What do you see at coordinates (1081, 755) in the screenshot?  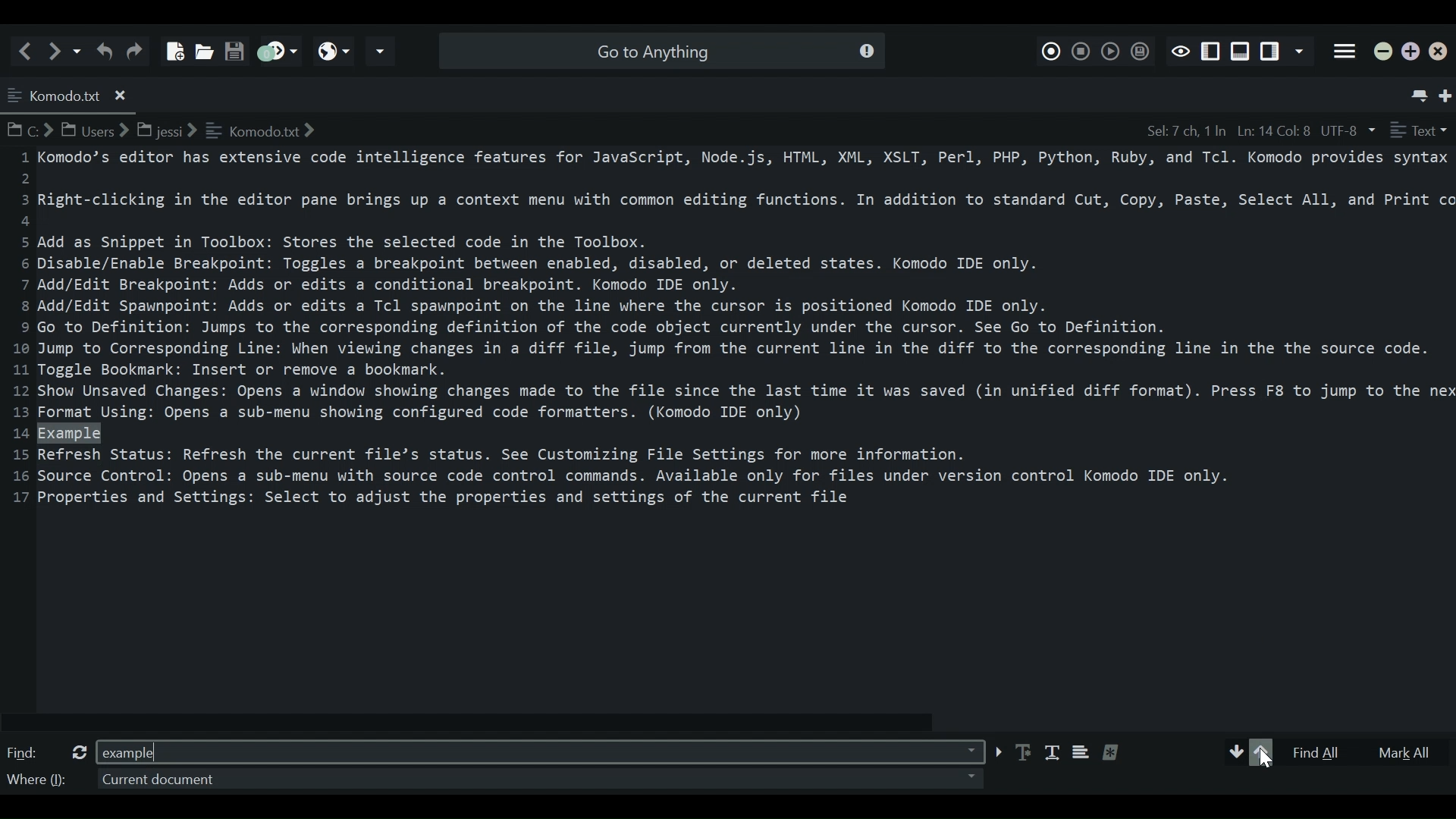 I see `Use multiple lines` at bounding box center [1081, 755].